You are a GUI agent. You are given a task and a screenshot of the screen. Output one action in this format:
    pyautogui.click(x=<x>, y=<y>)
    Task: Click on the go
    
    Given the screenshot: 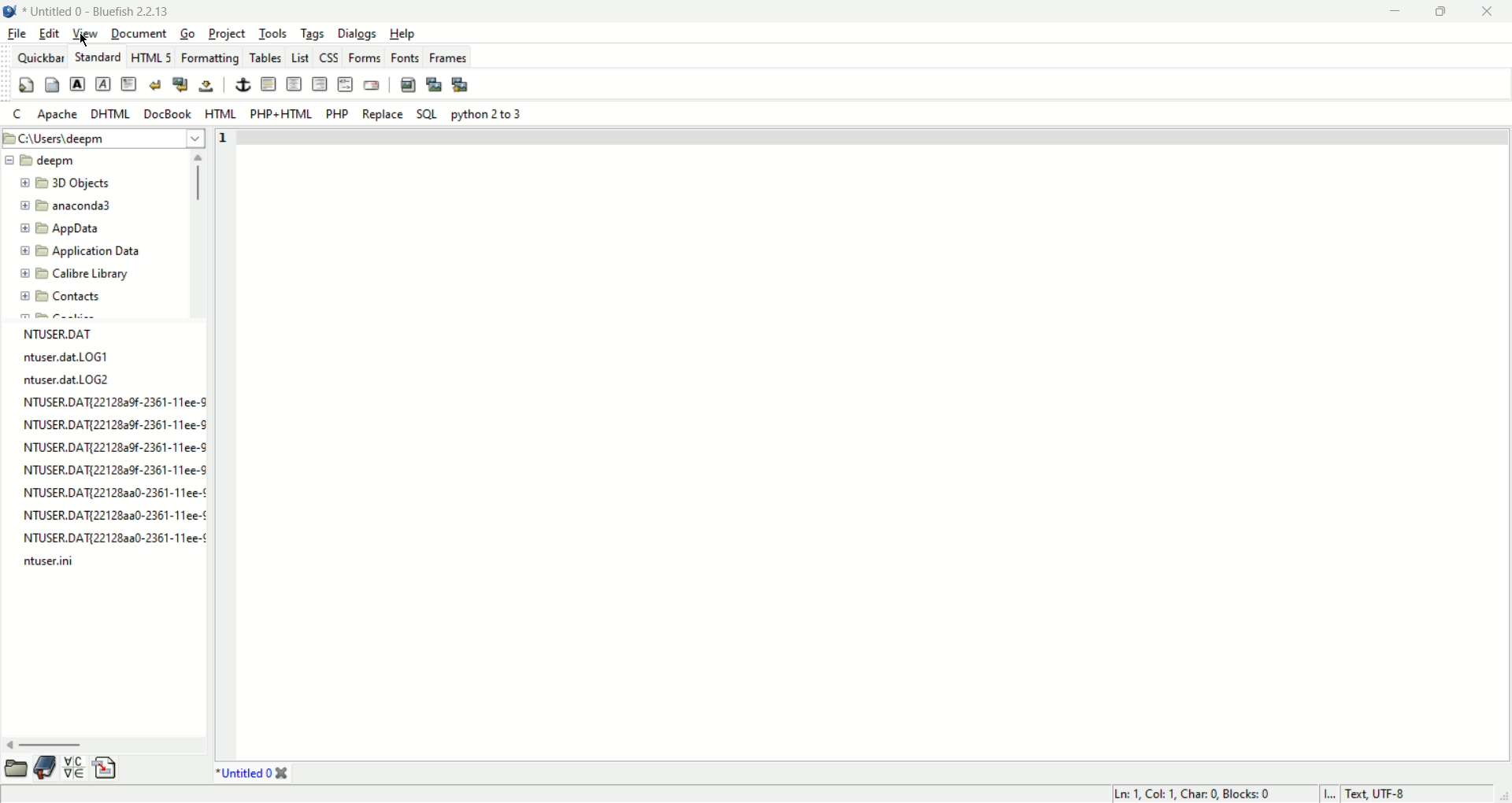 What is the action you would take?
    pyautogui.click(x=189, y=34)
    